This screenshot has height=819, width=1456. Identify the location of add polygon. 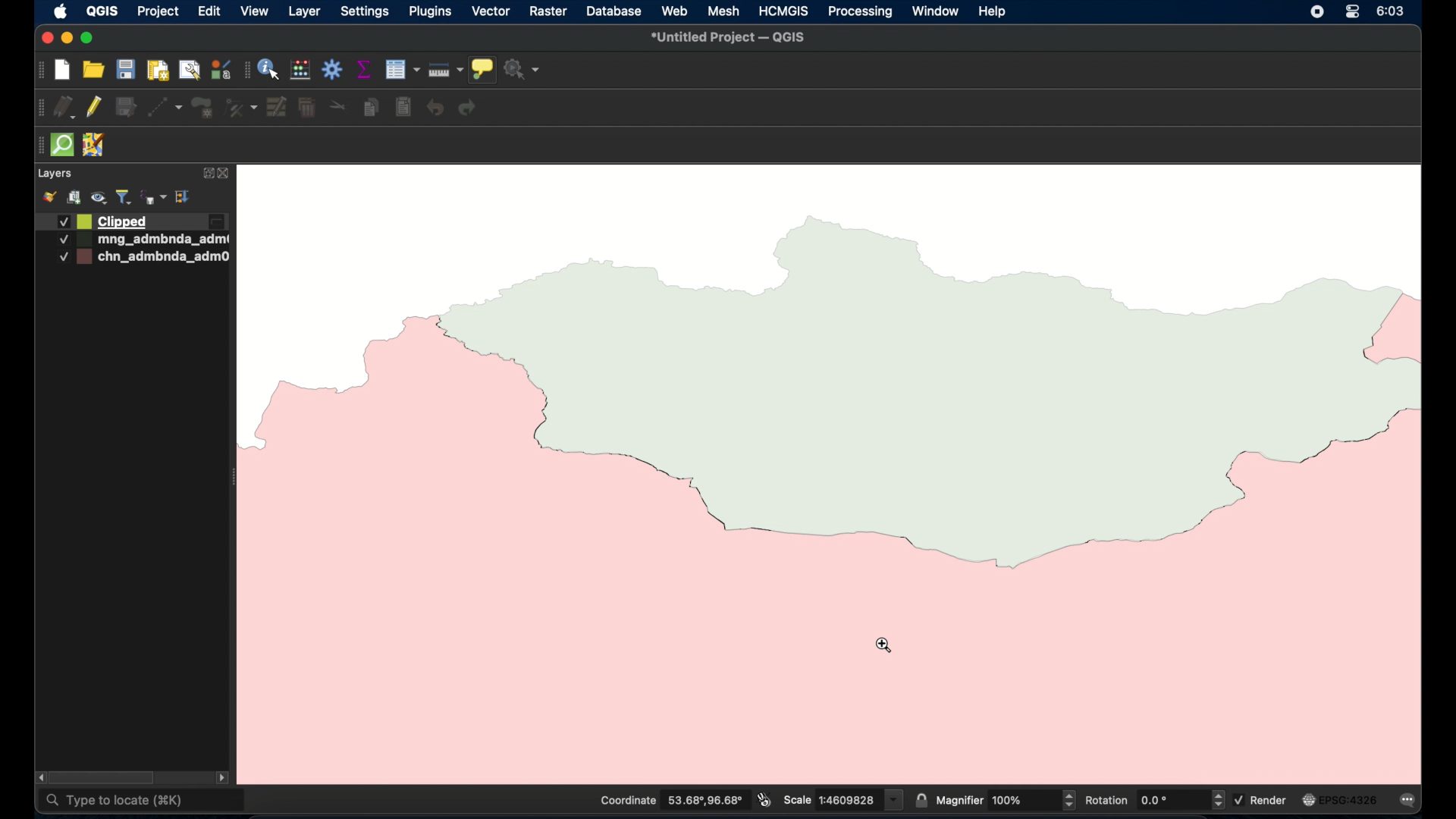
(204, 108).